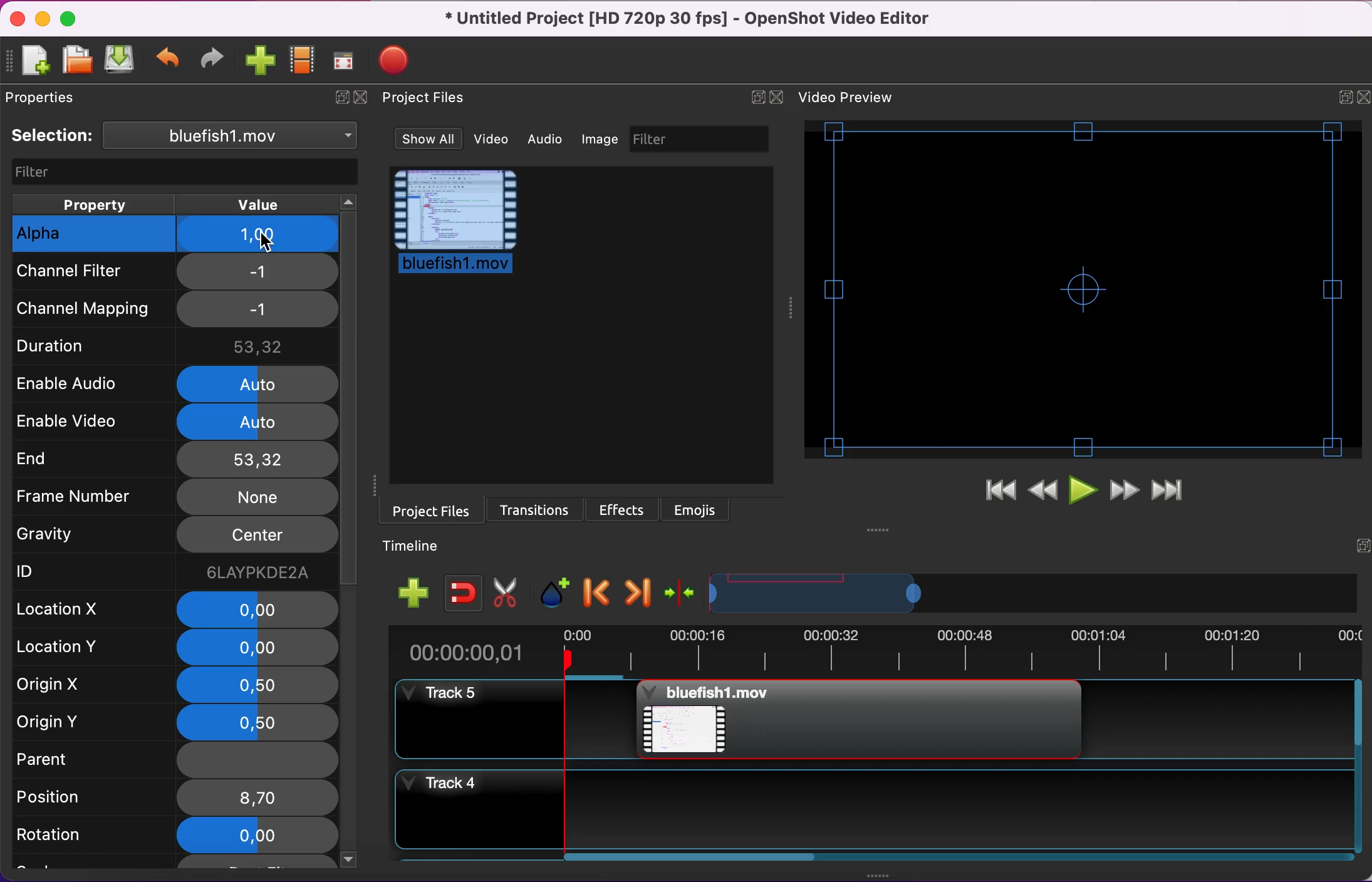  I want to click on jump to start, so click(995, 487).